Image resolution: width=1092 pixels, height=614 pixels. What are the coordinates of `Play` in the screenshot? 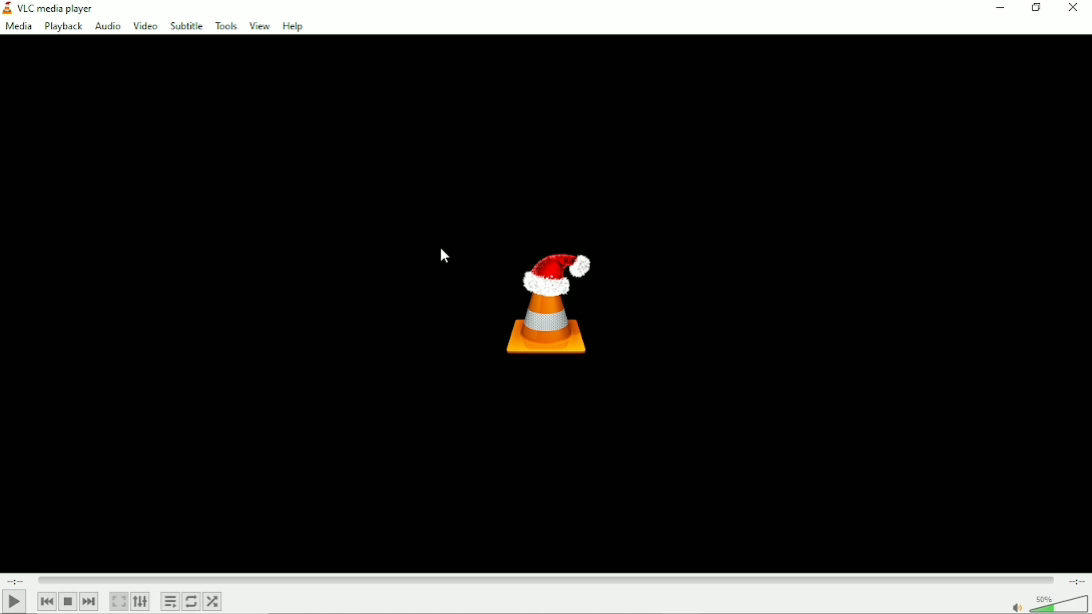 It's located at (14, 602).